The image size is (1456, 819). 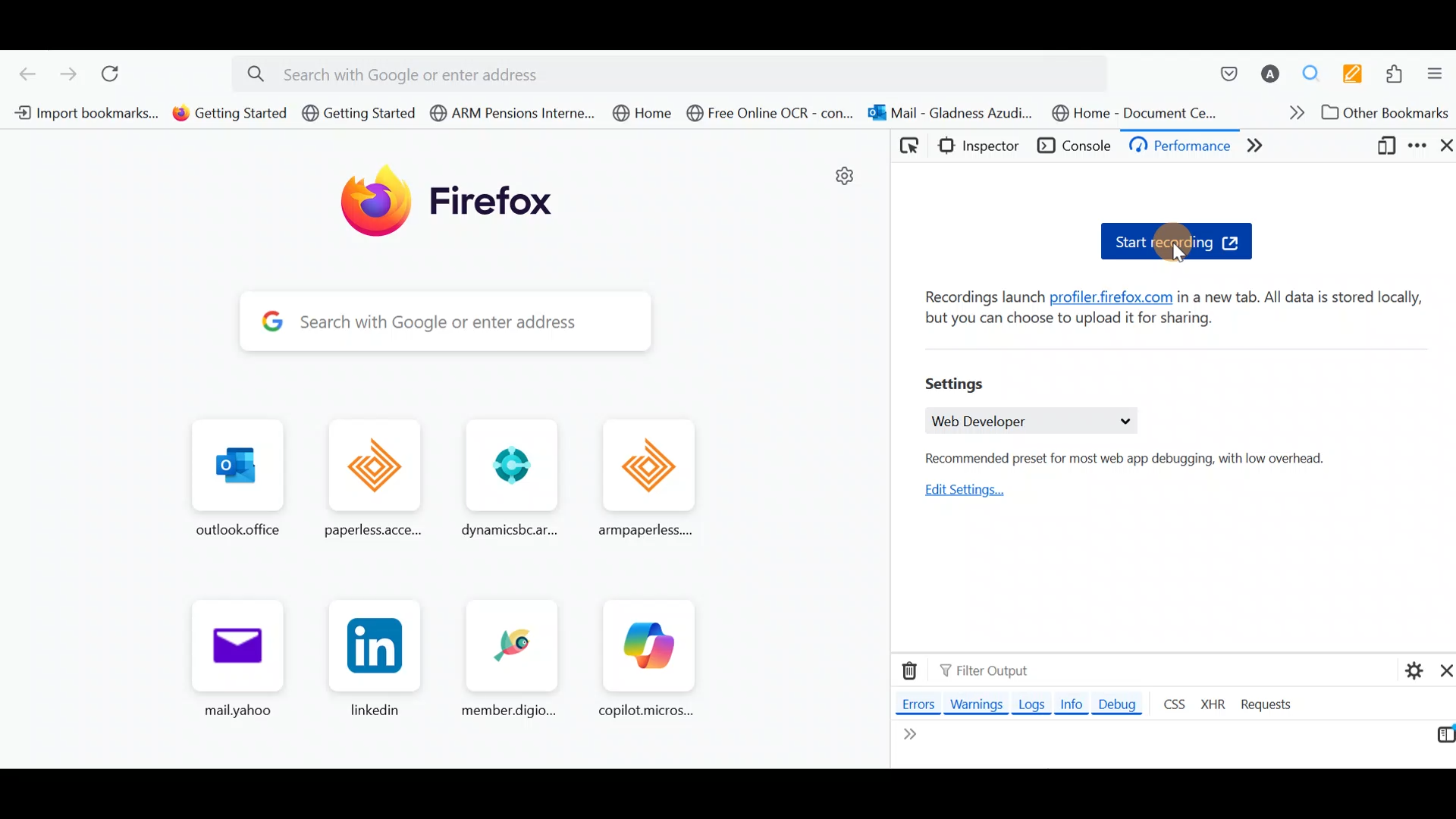 What do you see at coordinates (1131, 112) in the screenshot?
I see `Bookmark 8` at bounding box center [1131, 112].